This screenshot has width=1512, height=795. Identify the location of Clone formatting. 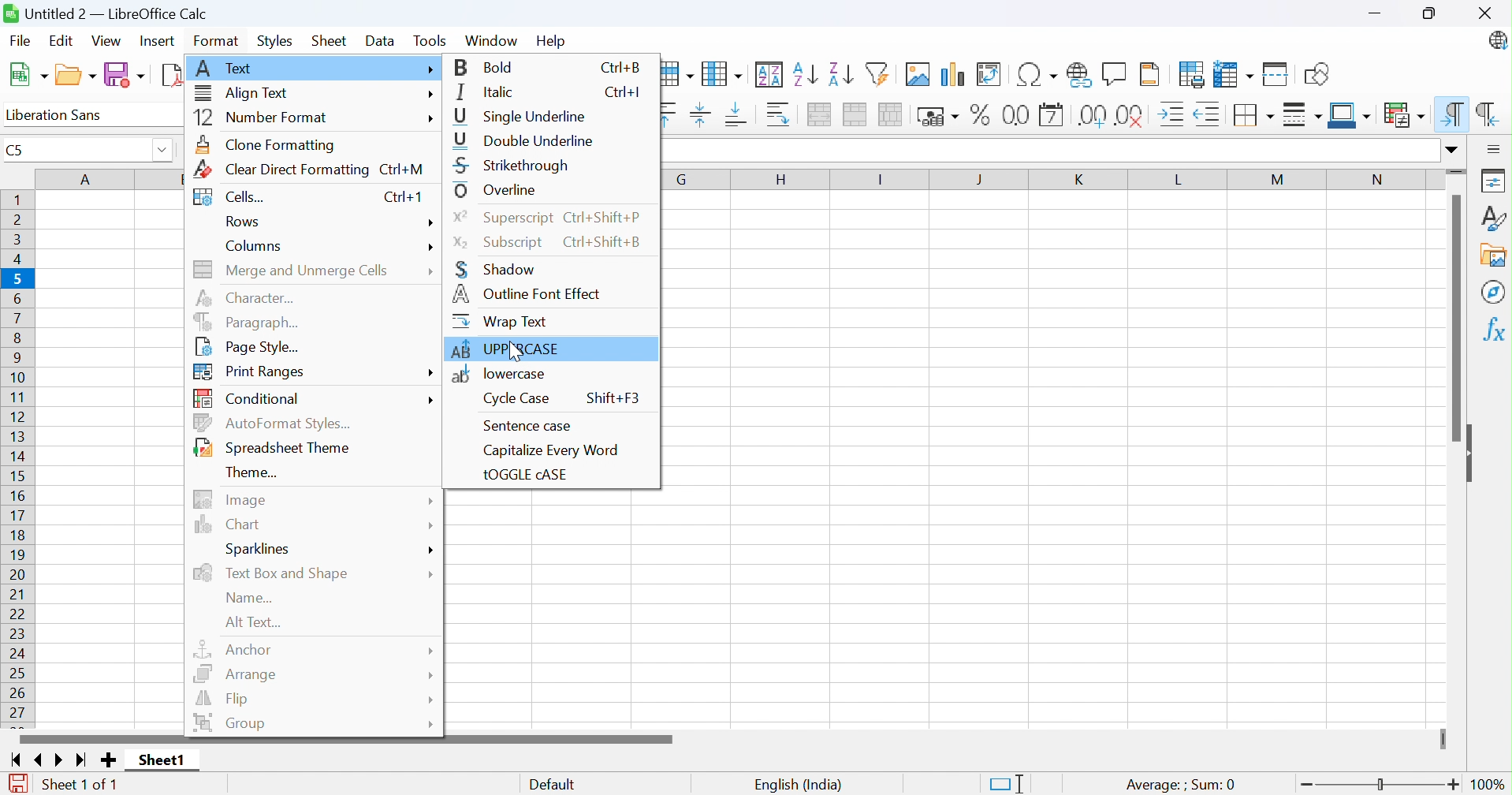
(269, 144).